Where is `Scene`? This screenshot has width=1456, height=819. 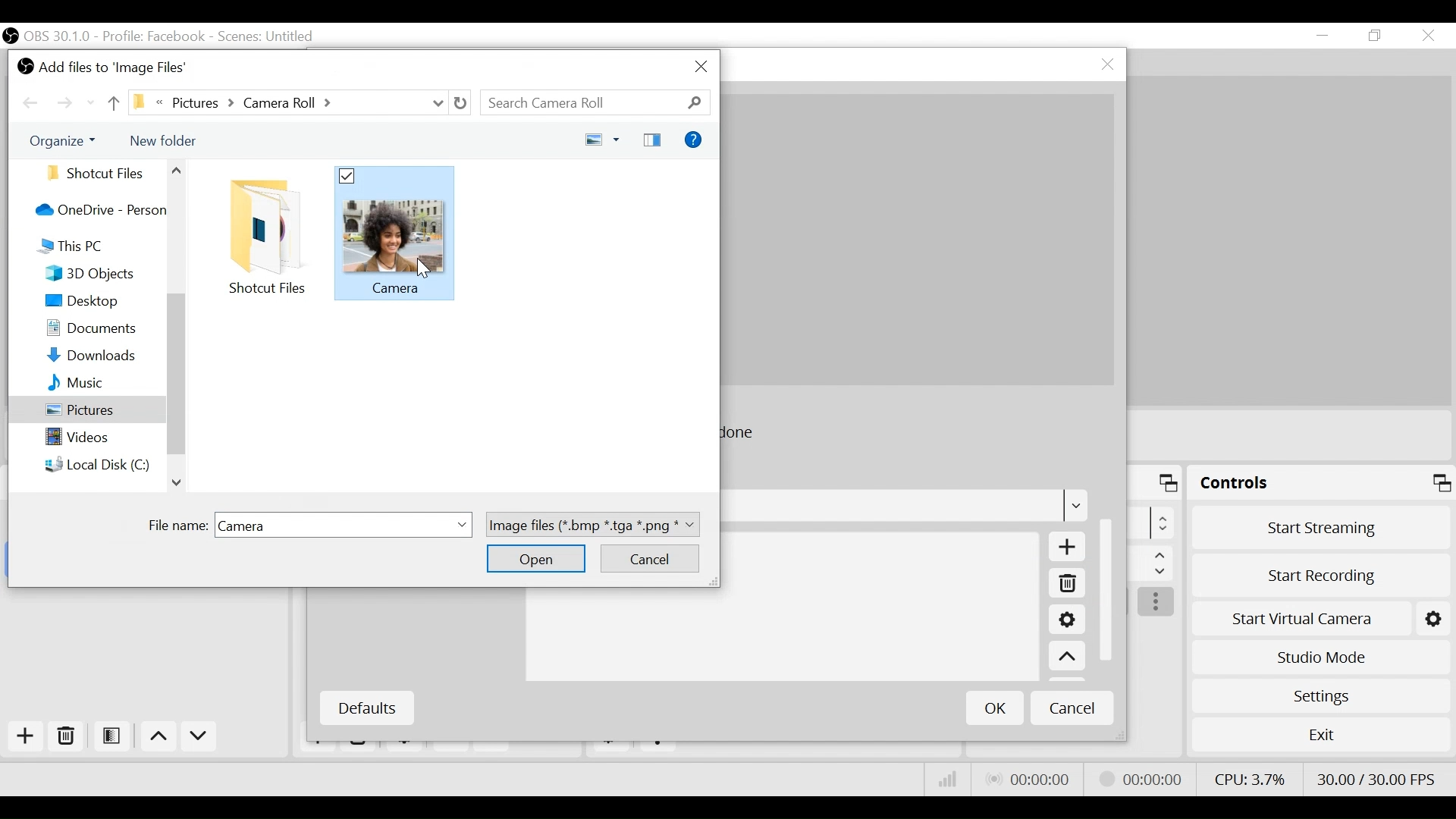 Scene is located at coordinates (268, 37).